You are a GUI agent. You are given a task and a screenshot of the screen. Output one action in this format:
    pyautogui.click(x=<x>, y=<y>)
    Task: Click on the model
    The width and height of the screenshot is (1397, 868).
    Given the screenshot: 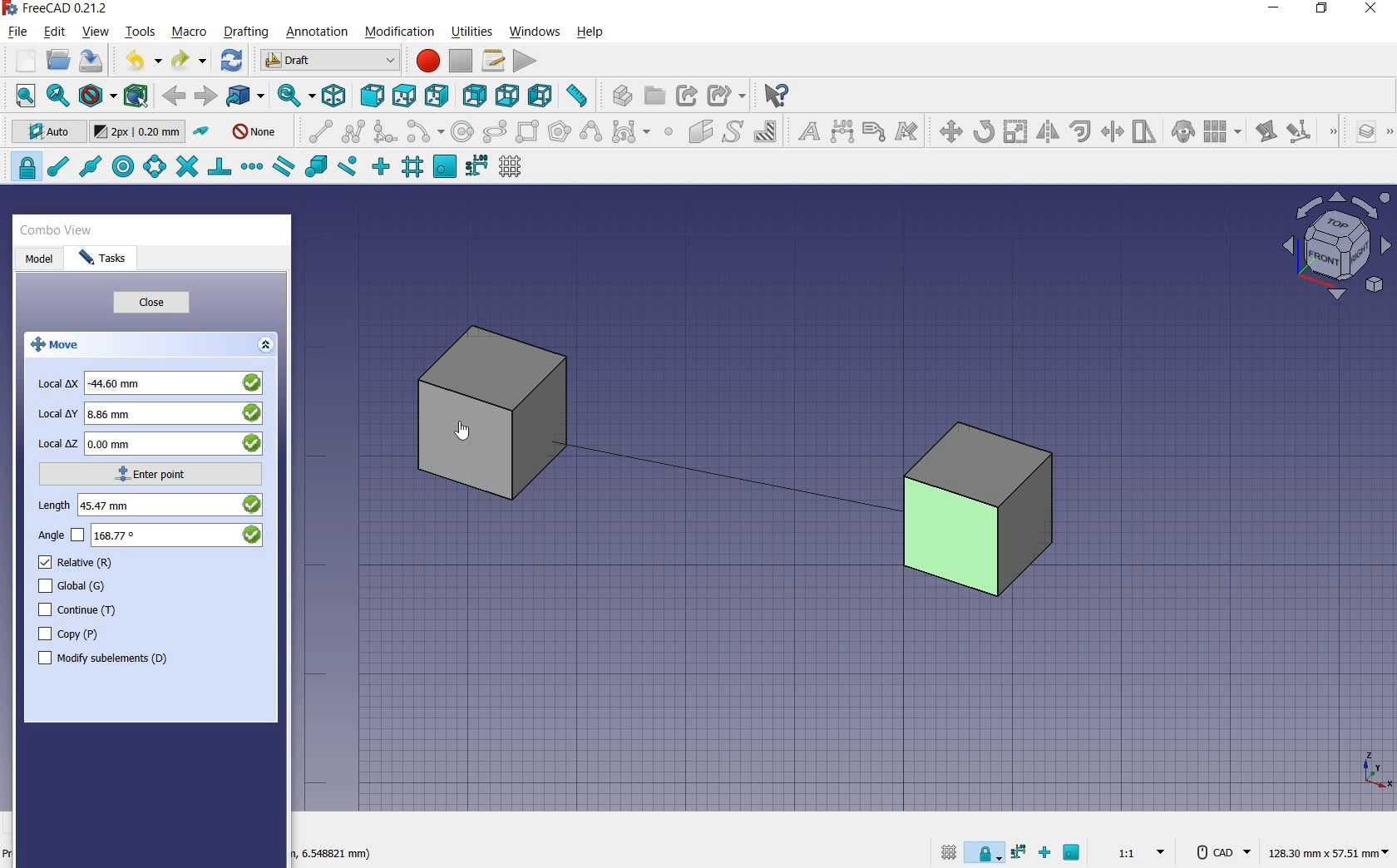 What is the action you would take?
    pyautogui.click(x=38, y=255)
    